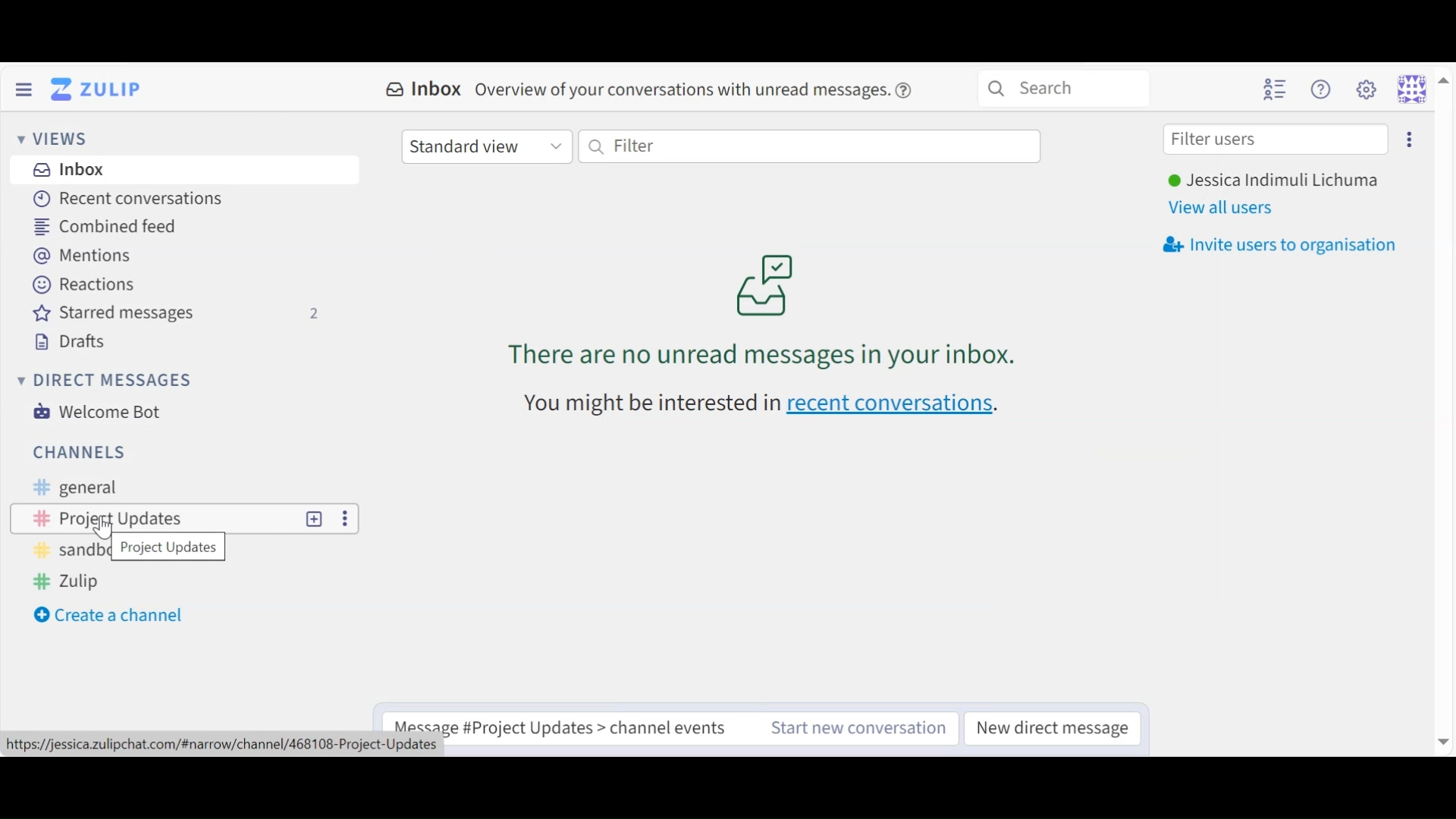 Image resolution: width=1456 pixels, height=819 pixels. What do you see at coordinates (102, 412) in the screenshot?
I see `Welcome Bot` at bounding box center [102, 412].